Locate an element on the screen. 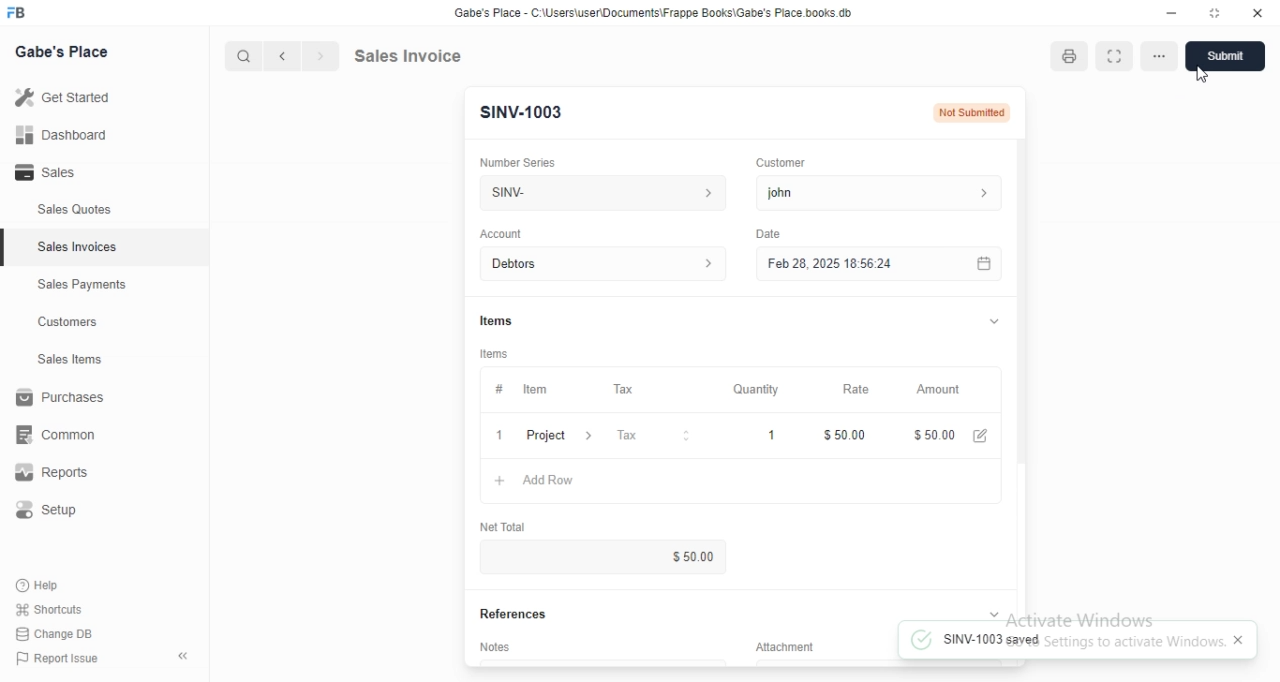 The height and width of the screenshot is (682, 1280). 1 is located at coordinates (499, 435).